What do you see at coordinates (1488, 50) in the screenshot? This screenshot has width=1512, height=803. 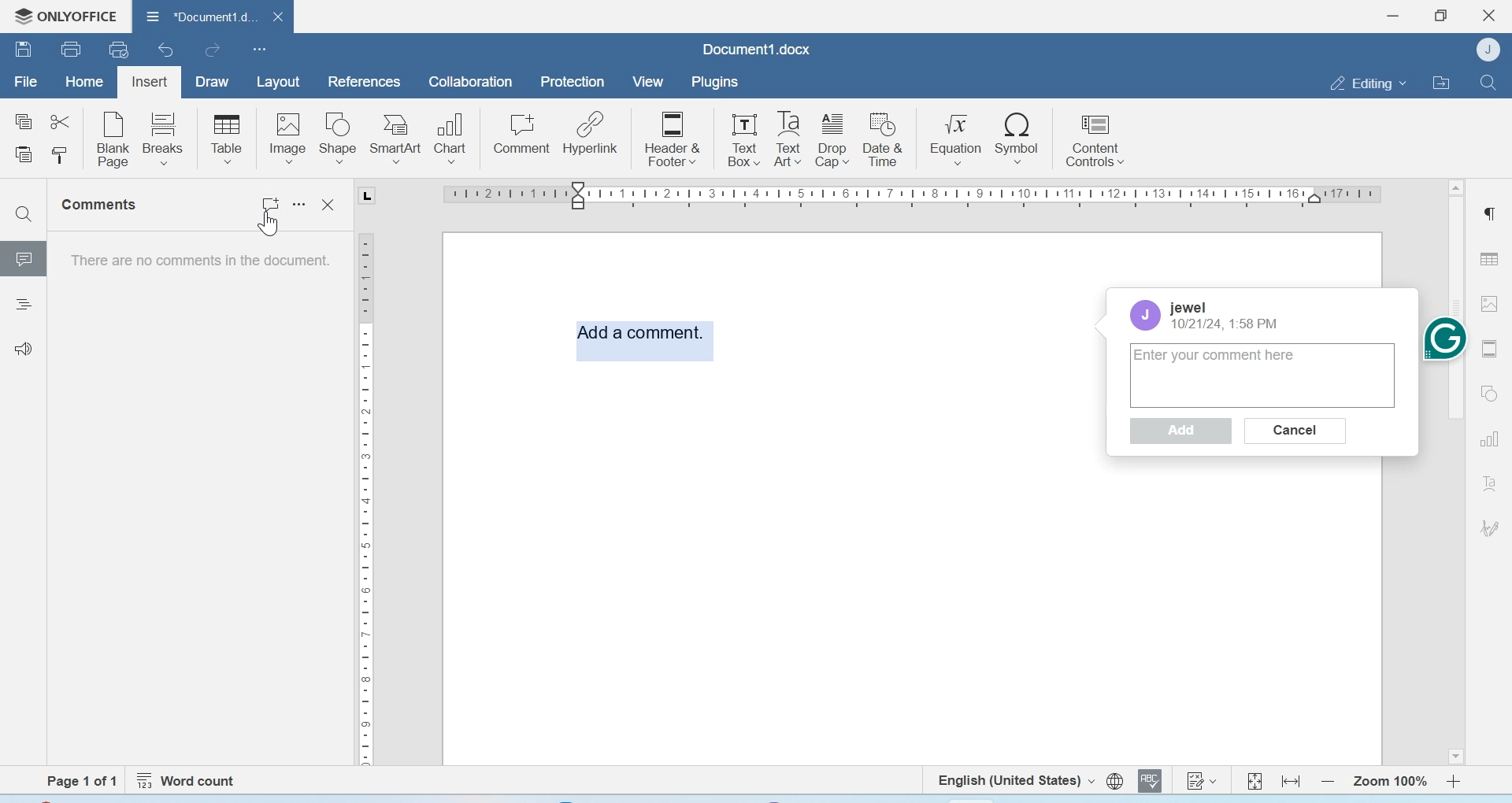 I see `` at bounding box center [1488, 50].